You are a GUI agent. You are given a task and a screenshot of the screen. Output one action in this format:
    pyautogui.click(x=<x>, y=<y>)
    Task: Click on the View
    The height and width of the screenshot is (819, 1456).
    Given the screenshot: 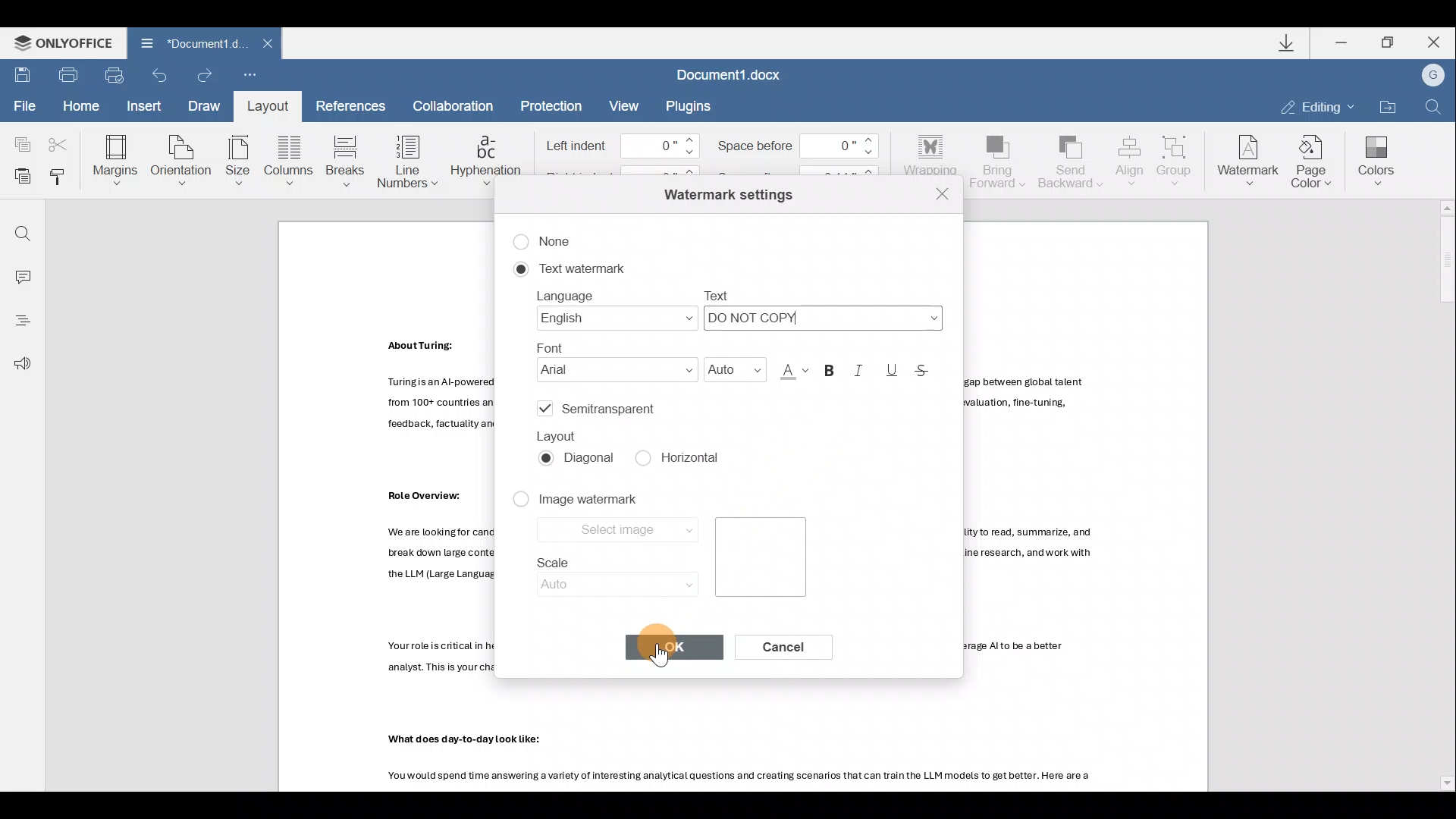 What is the action you would take?
    pyautogui.click(x=624, y=104)
    